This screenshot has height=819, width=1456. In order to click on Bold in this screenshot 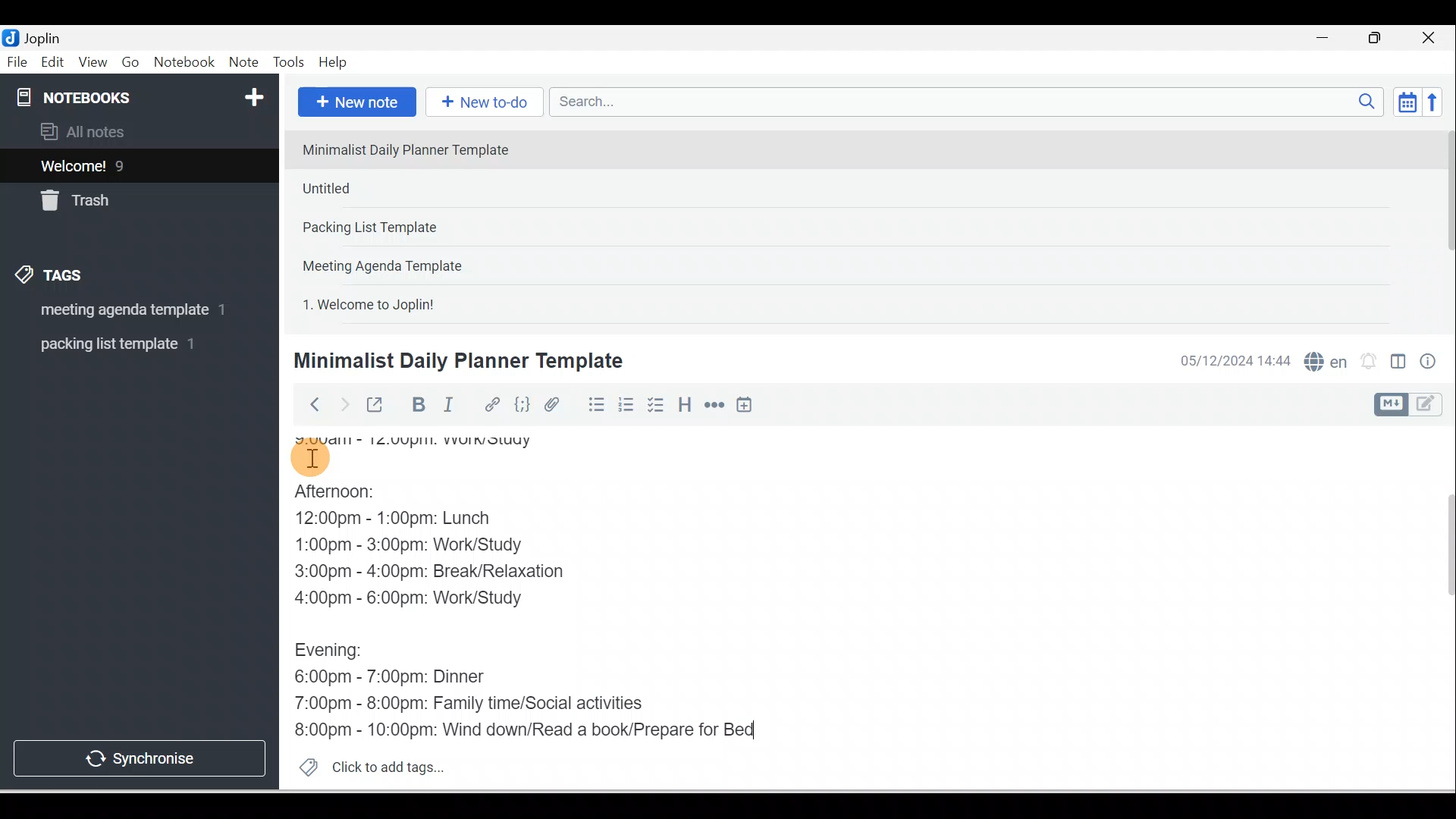, I will do `click(416, 405)`.